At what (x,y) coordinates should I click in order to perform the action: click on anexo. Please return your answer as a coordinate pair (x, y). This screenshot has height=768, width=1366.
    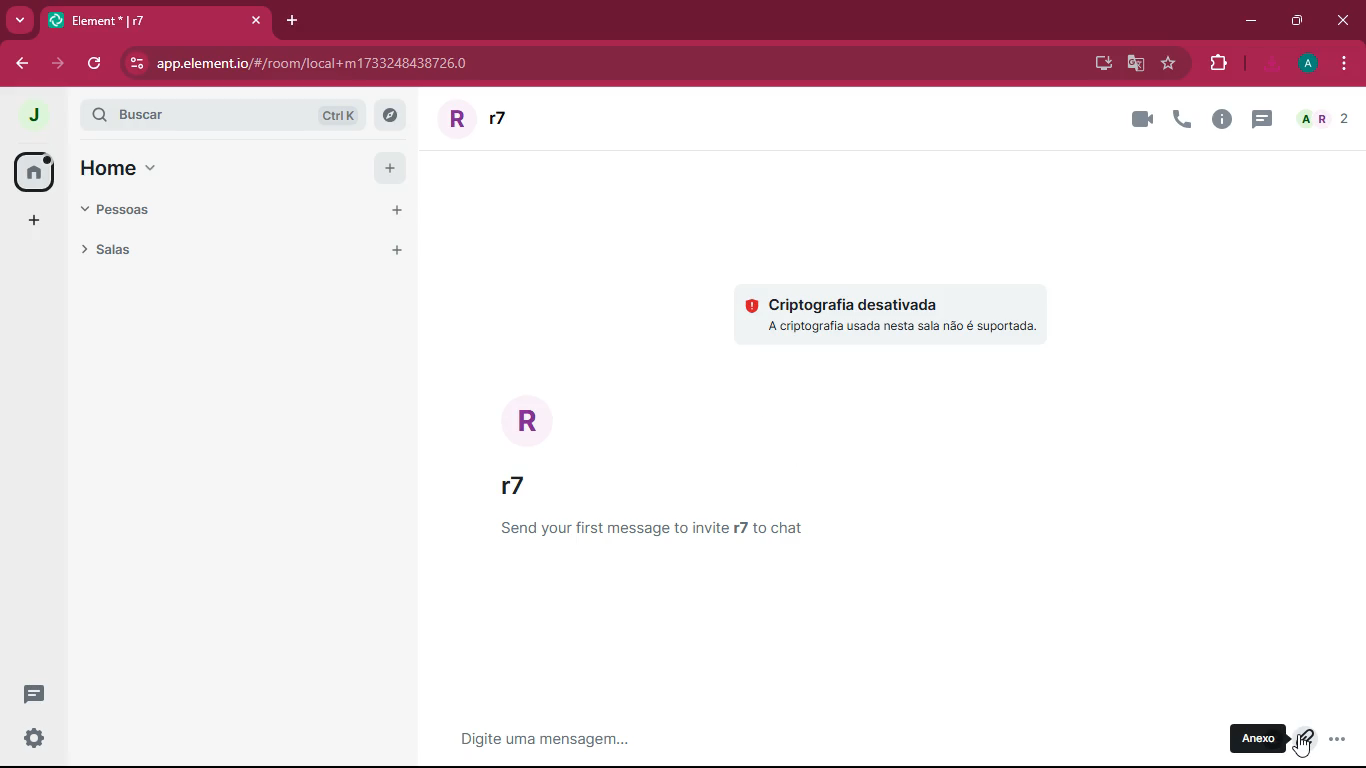
    Looking at the image, I should click on (1260, 740).